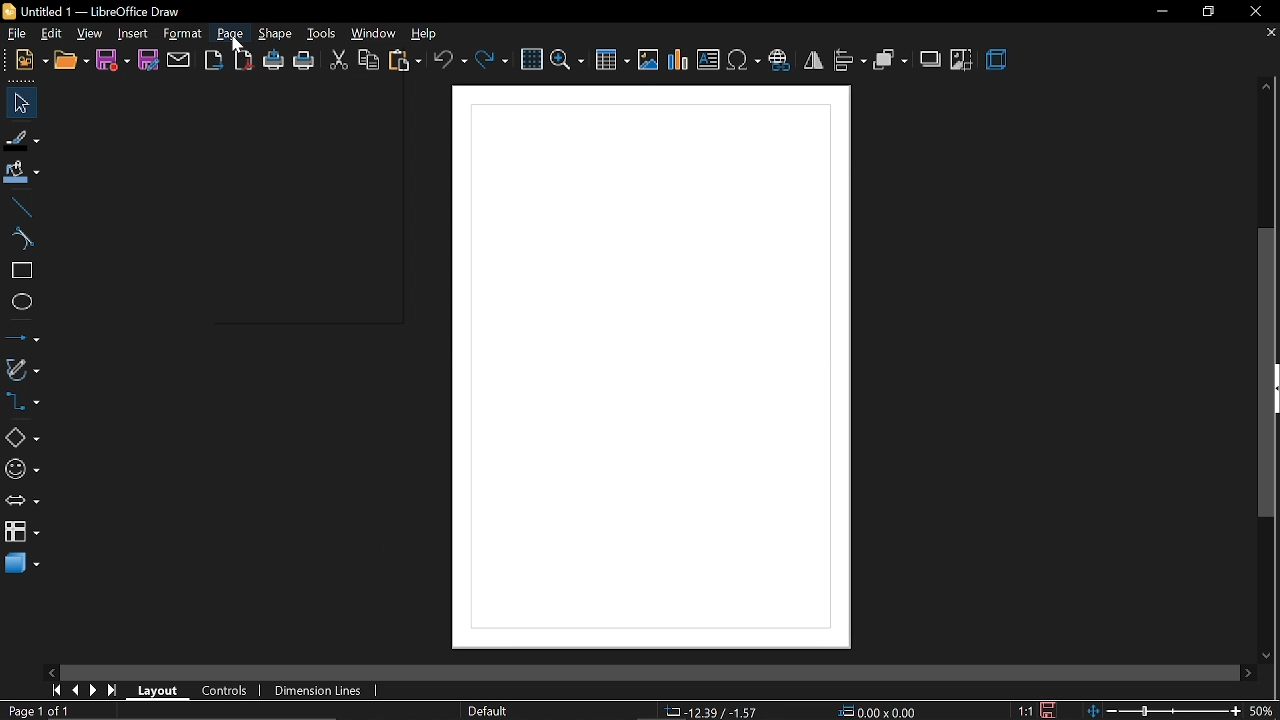 This screenshot has width=1280, height=720. Describe the element at coordinates (22, 439) in the screenshot. I see `basic shapes` at that location.